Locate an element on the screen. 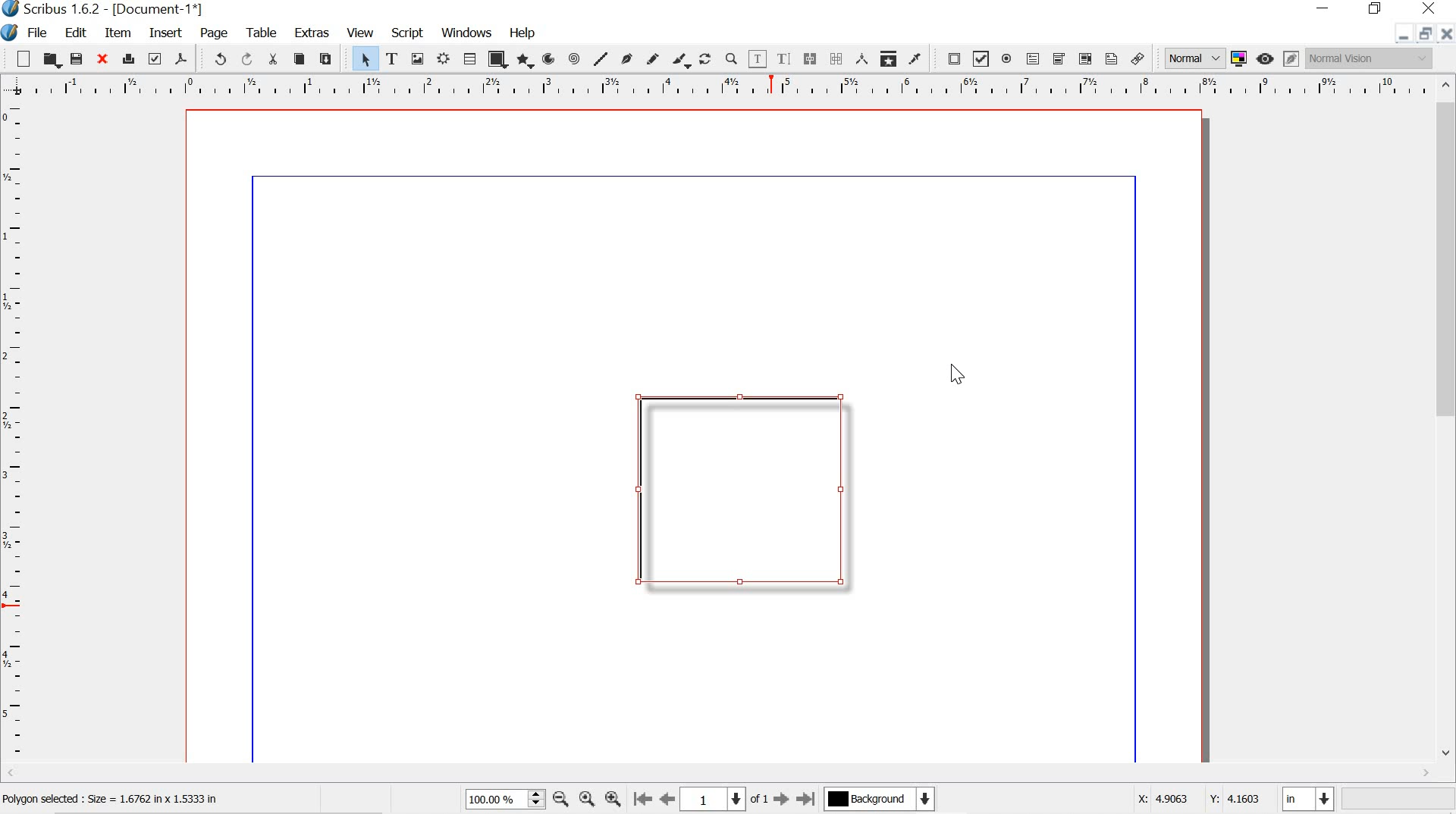 The width and height of the screenshot is (1456, 814). Scribus 1.6.2 - [Document-1*] is located at coordinates (115, 10).